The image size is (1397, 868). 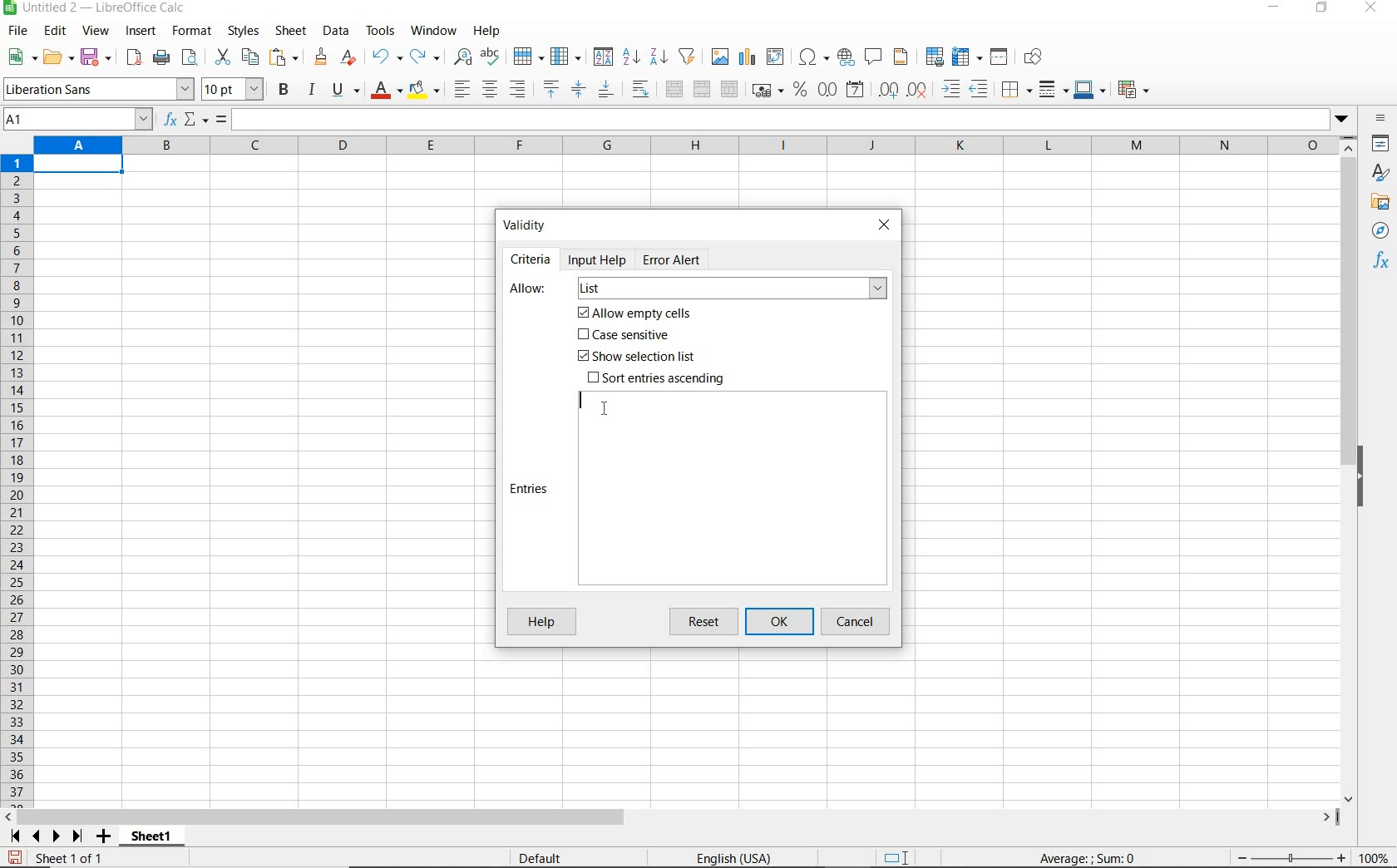 I want to click on cancel, so click(x=857, y=622).